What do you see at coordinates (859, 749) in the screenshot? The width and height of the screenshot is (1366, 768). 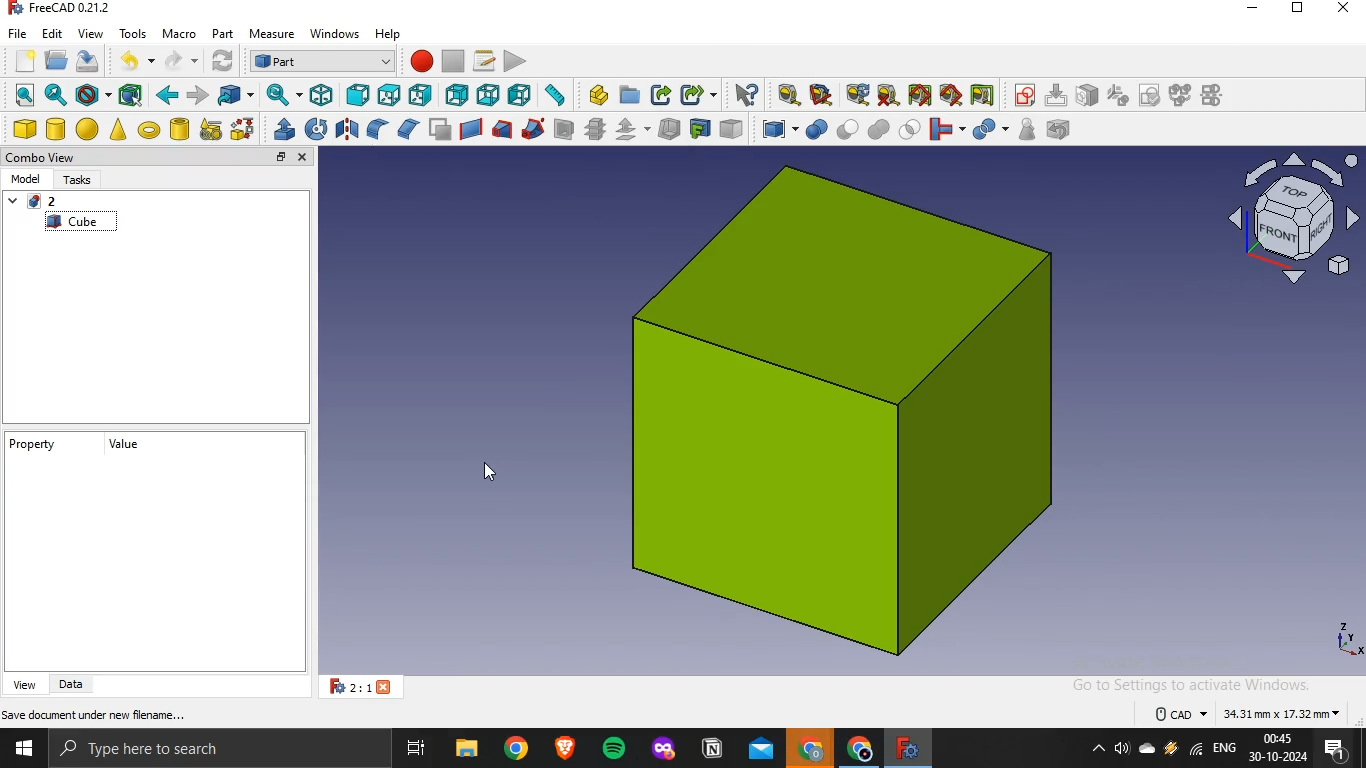 I see `google chrome` at bounding box center [859, 749].